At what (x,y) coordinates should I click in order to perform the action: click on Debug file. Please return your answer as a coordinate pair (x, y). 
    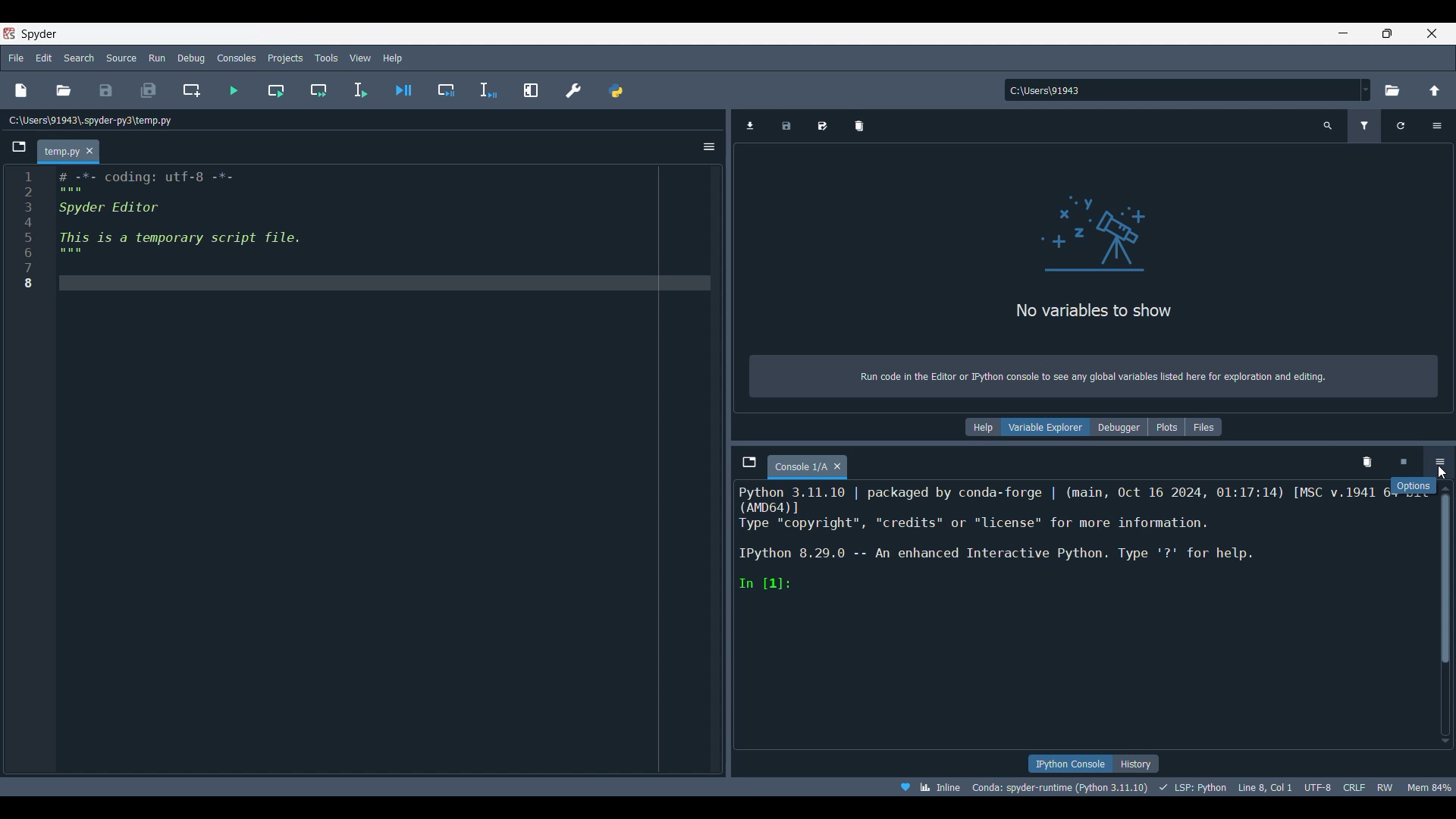
    Looking at the image, I should click on (403, 90).